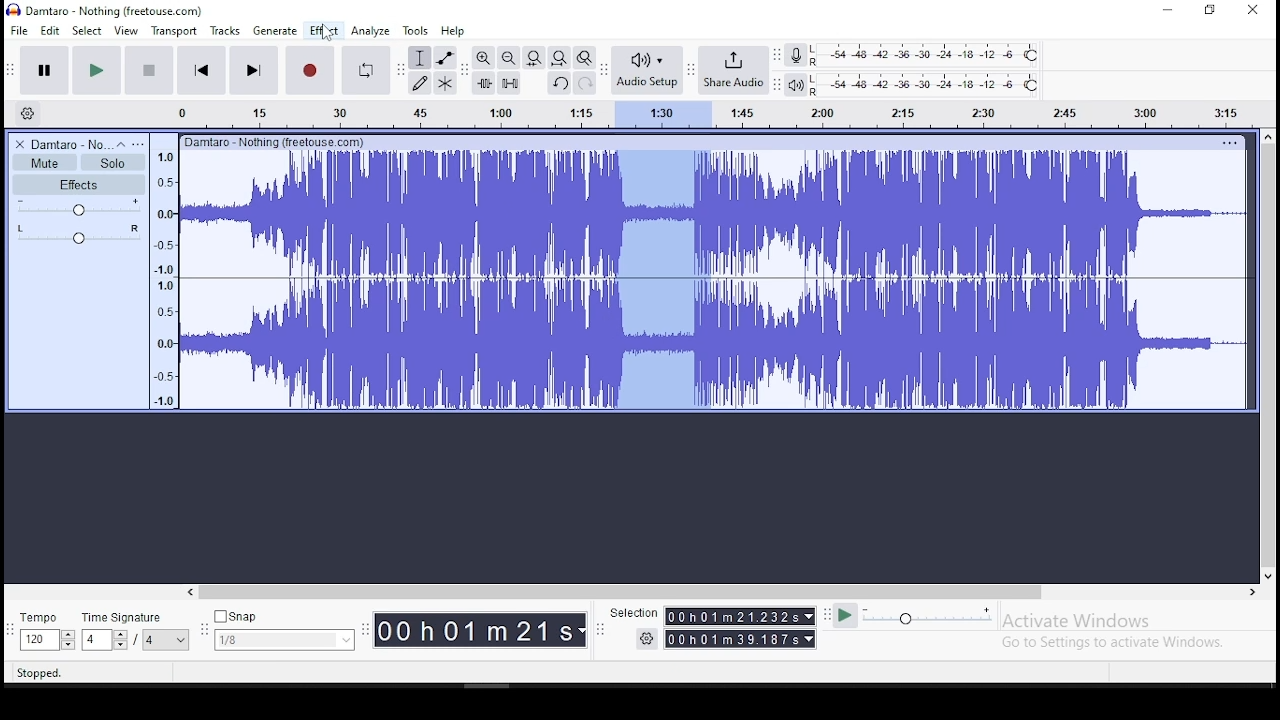  What do you see at coordinates (113, 163) in the screenshot?
I see `solo` at bounding box center [113, 163].